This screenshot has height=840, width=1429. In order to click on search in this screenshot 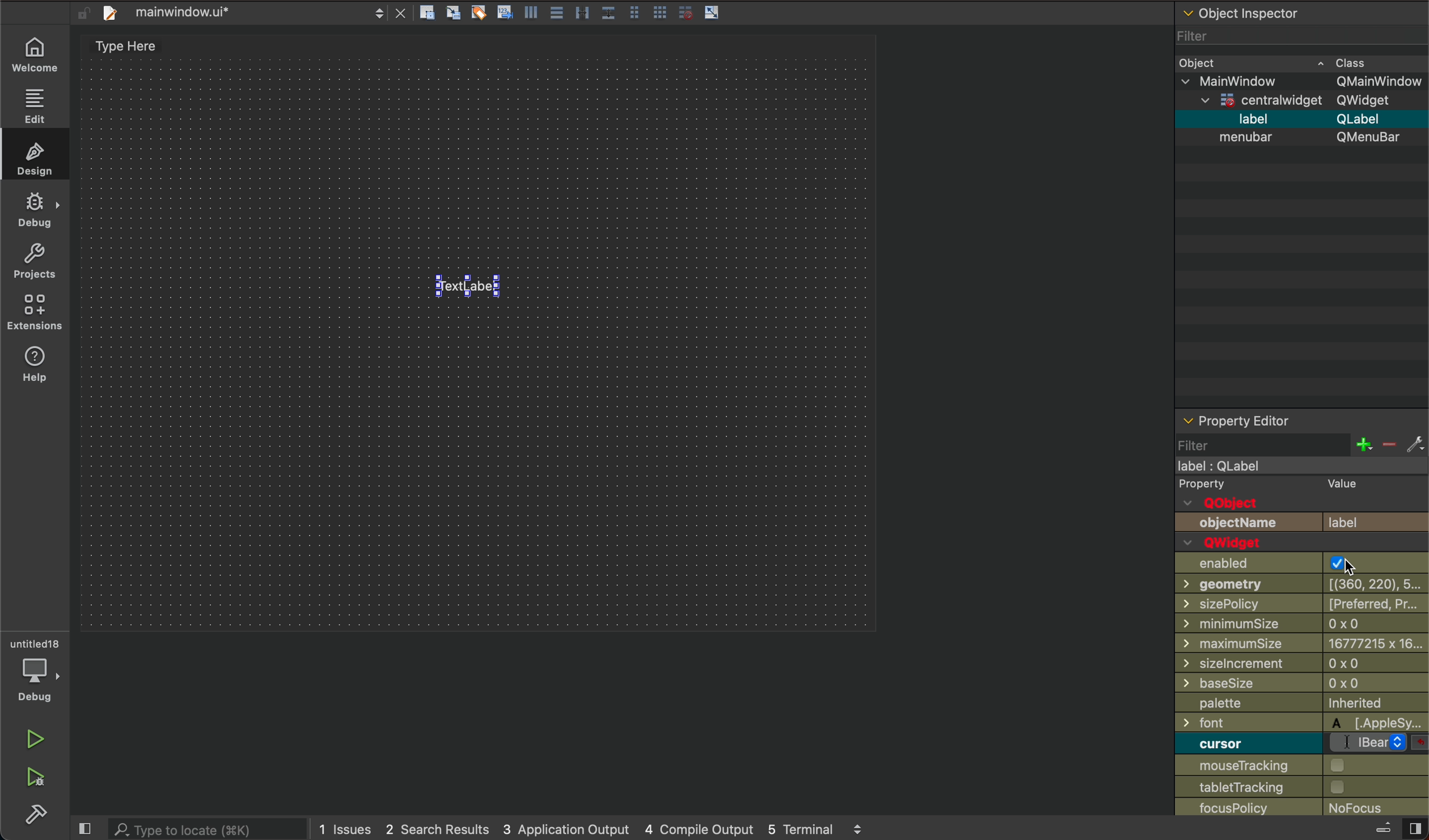, I will do `click(208, 828)`.